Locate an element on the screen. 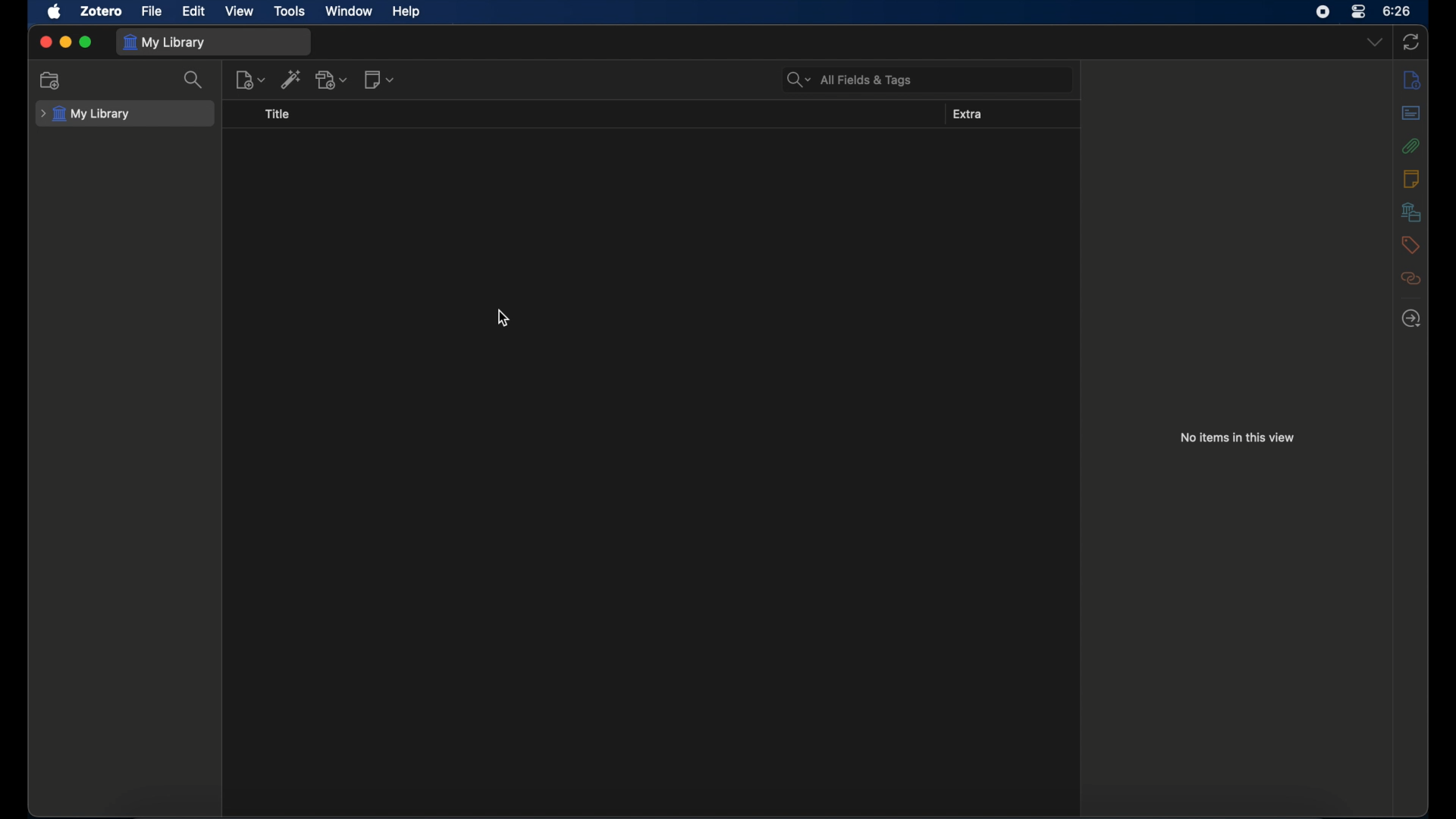 This screenshot has width=1456, height=819. libraries is located at coordinates (1410, 212).